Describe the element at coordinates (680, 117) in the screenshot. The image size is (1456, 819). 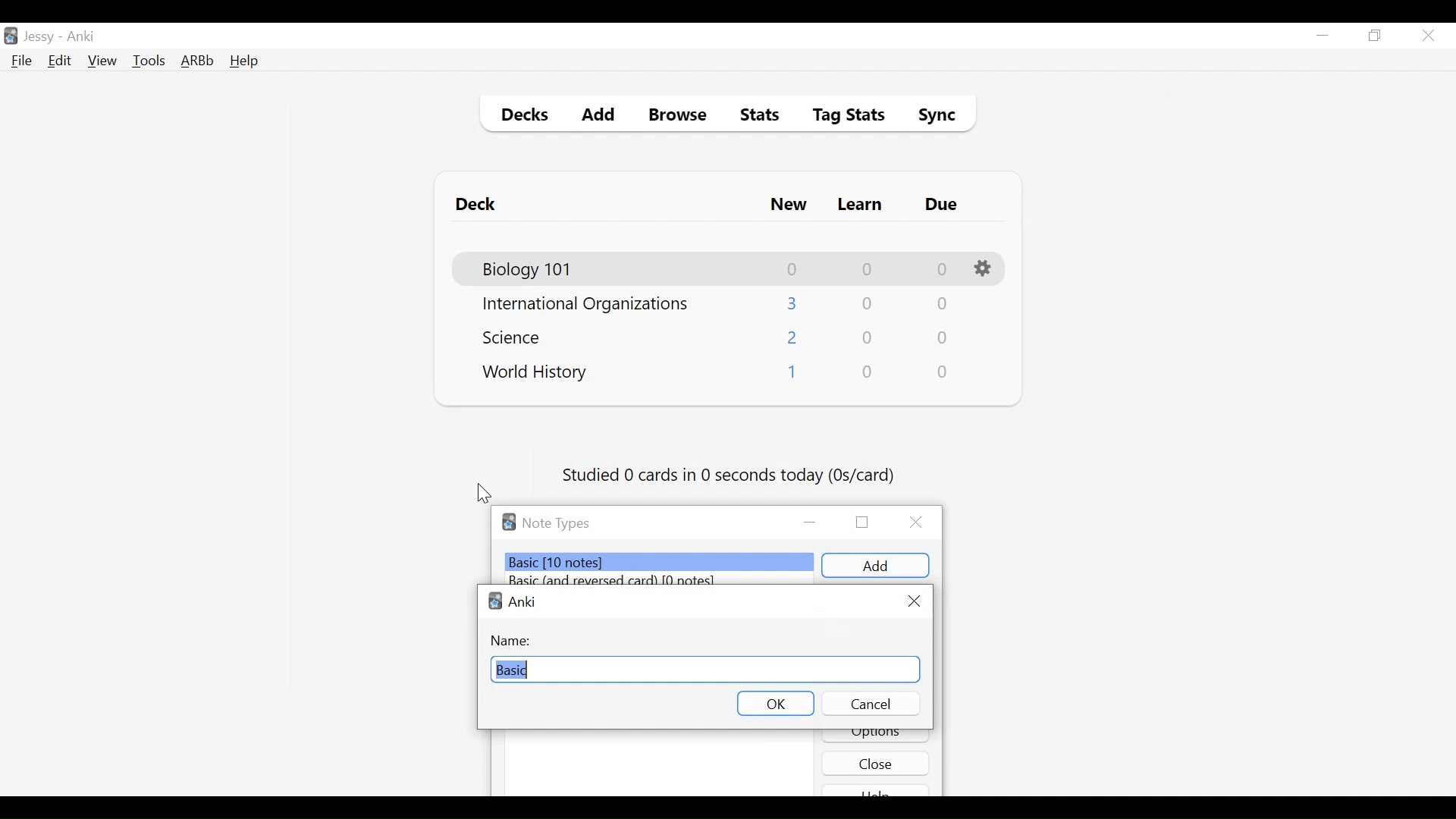
I see `Browse` at that location.